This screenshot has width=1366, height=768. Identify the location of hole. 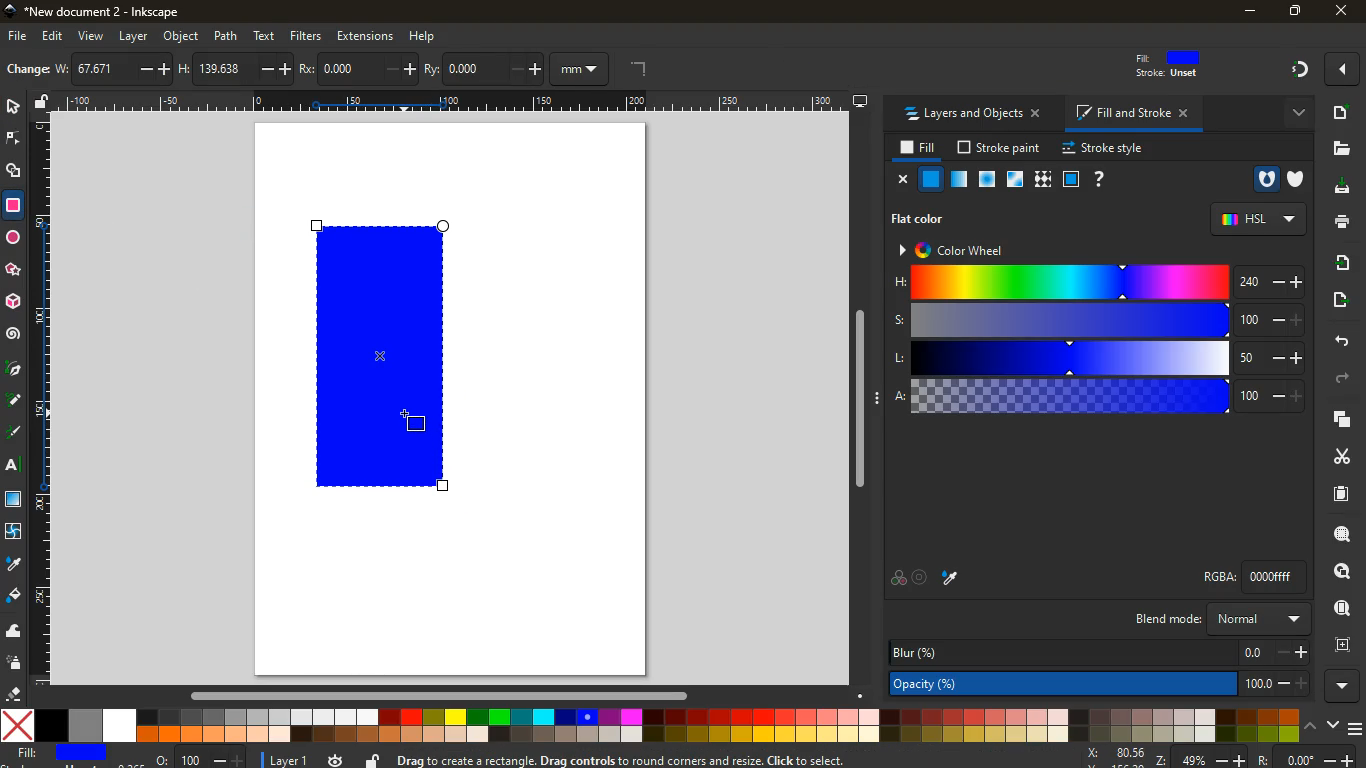
(1265, 178).